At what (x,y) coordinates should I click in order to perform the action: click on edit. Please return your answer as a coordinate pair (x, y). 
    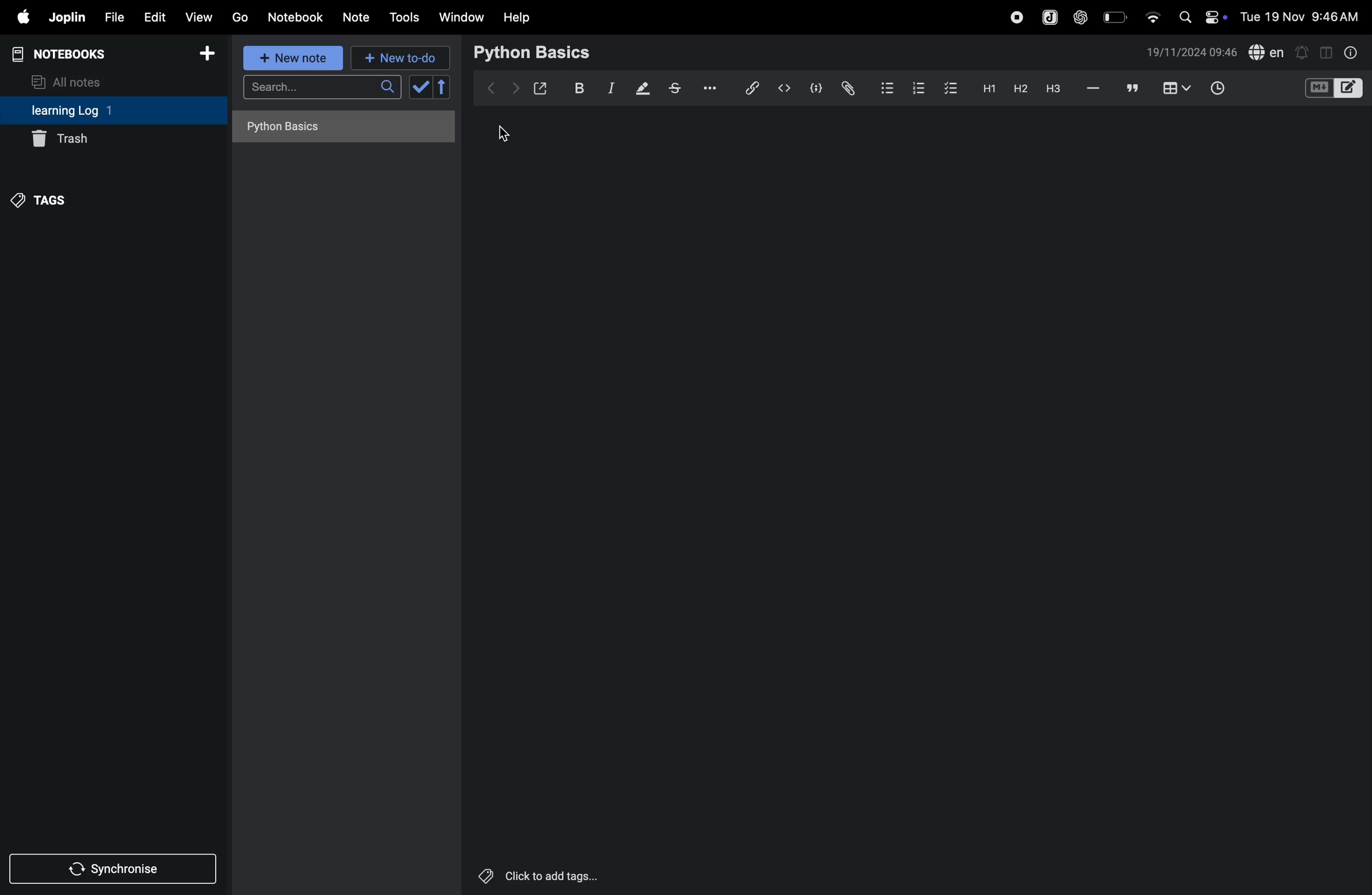
    Looking at the image, I should click on (153, 17).